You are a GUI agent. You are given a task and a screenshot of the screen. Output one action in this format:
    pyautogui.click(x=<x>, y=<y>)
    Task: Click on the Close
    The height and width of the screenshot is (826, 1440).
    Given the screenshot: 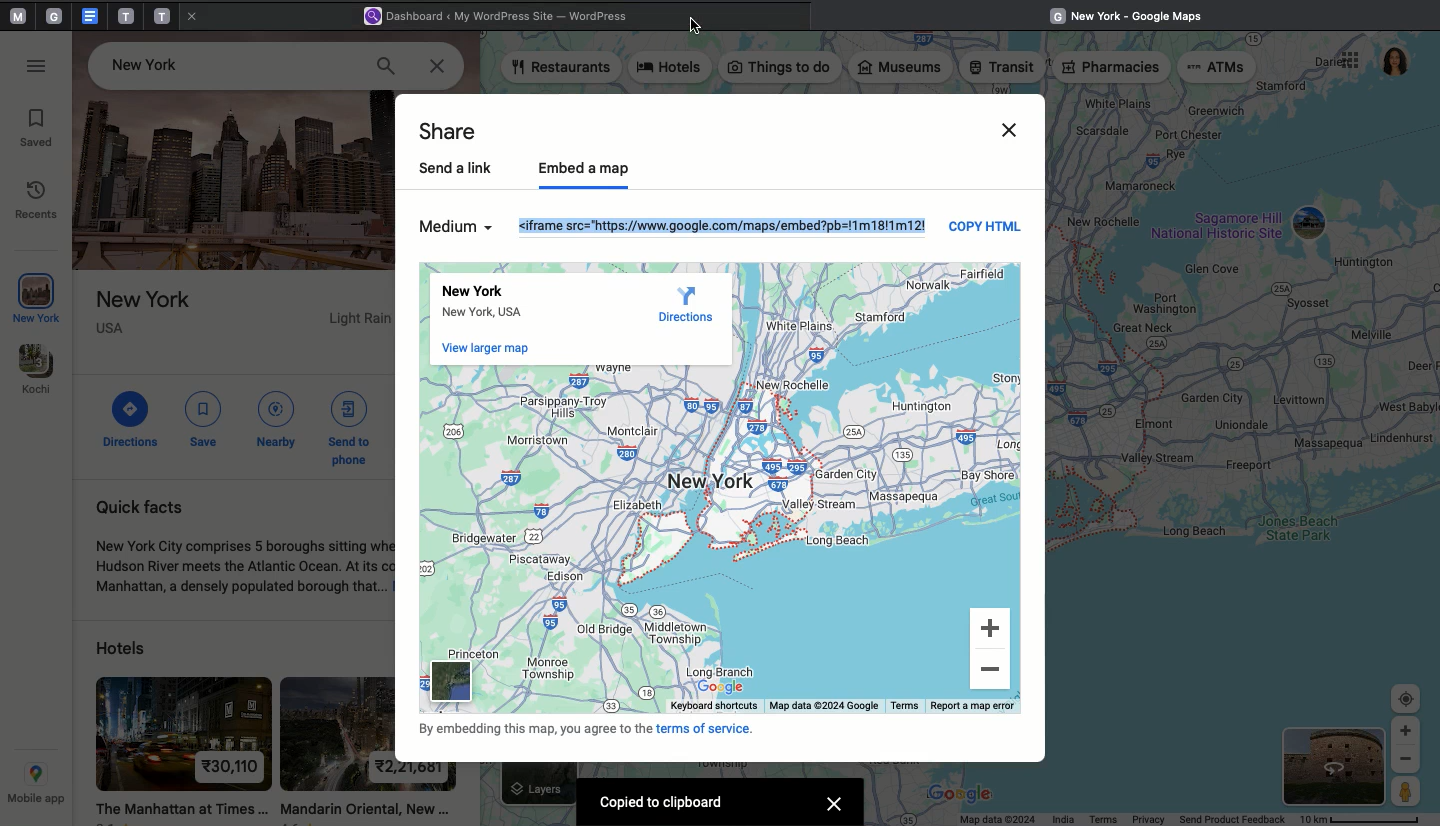 What is the action you would take?
    pyautogui.click(x=697, y=26)
    